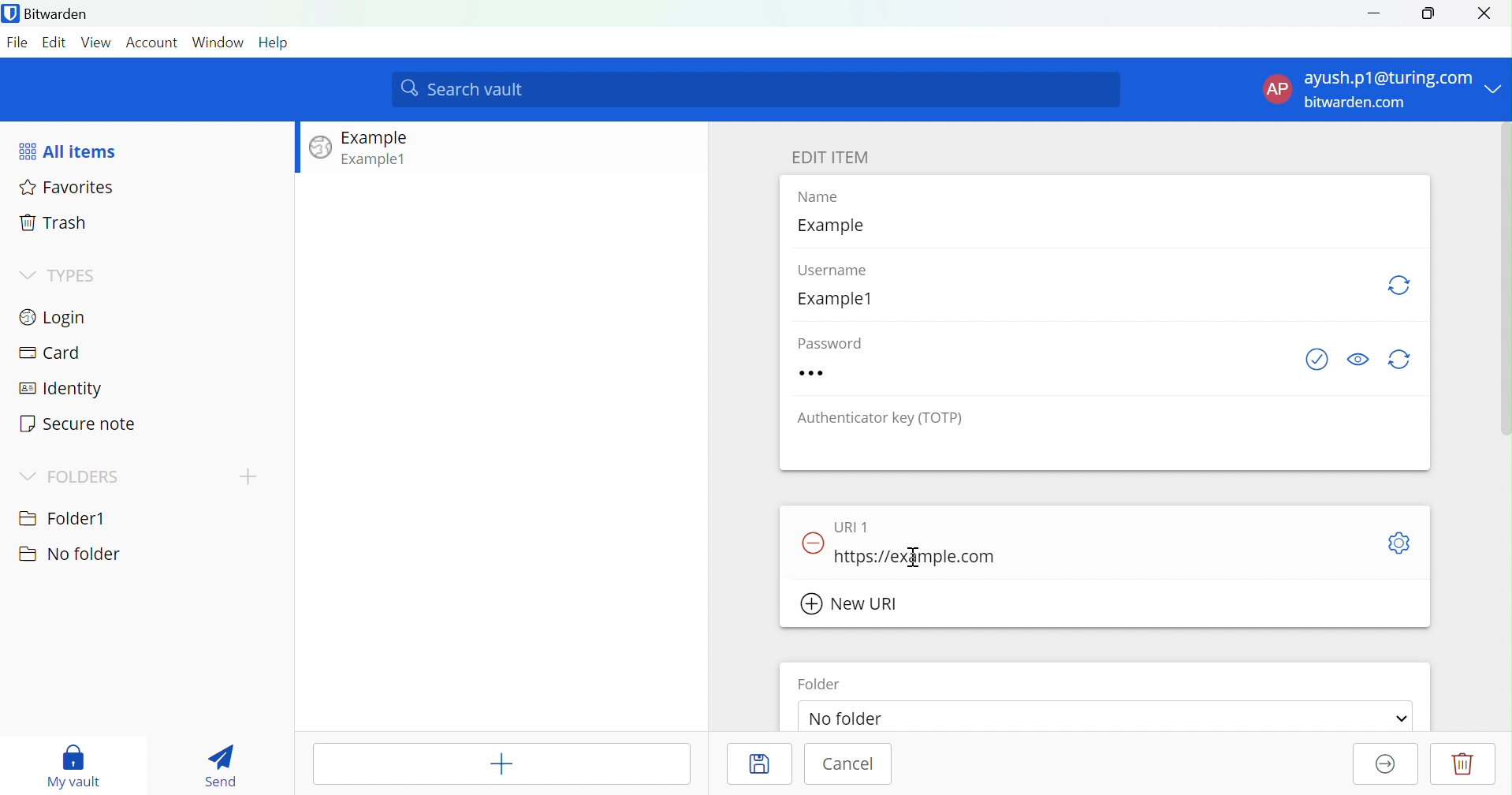 The height and width of the screenshot is (795, 1512). I want to click on File, so click(20, 43).